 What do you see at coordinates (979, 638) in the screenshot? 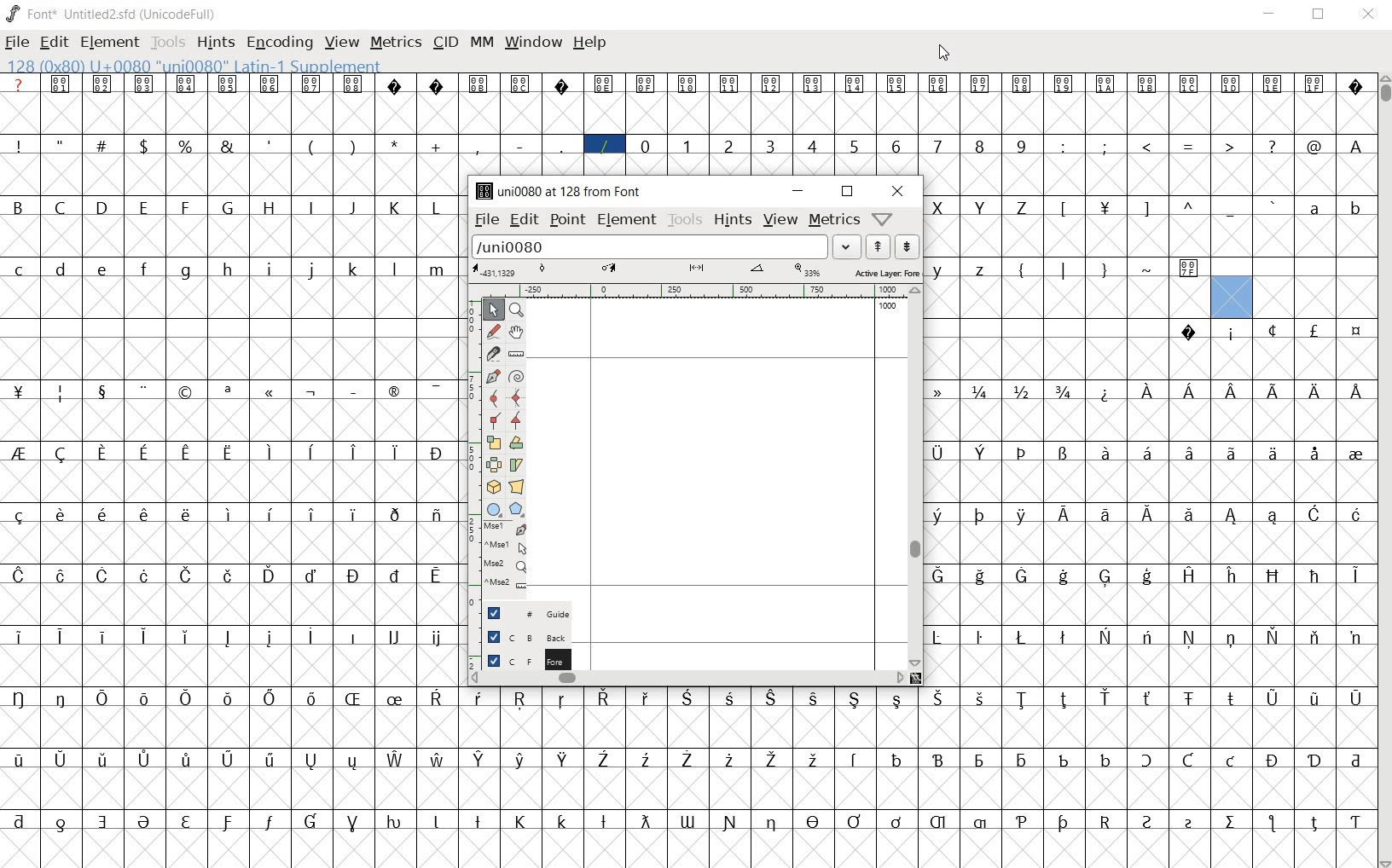
I see `glyph` at bounding box center [979, 638].